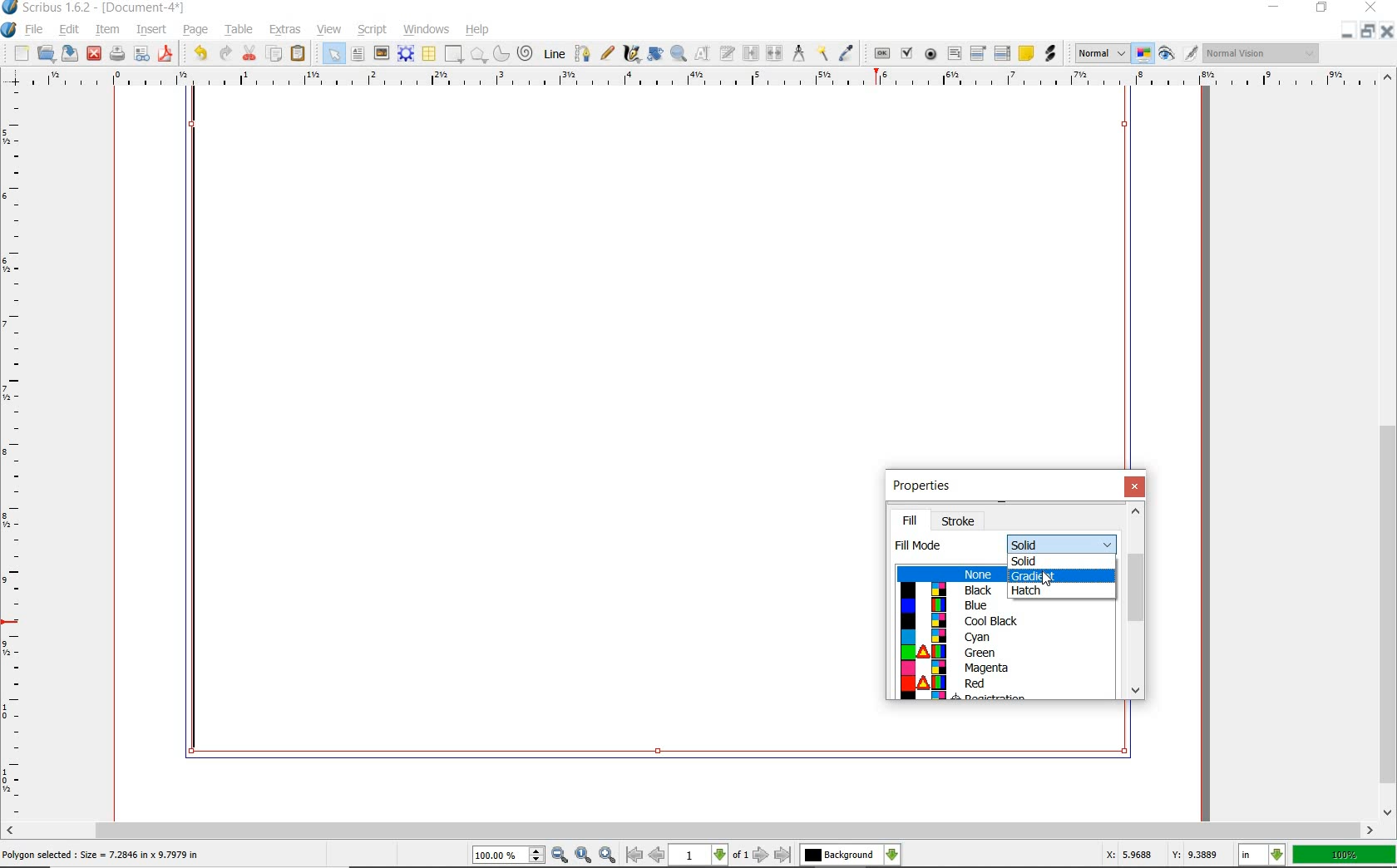 This screenshot has height=868, width=1397. I want to click on close, so click(1388, 31).